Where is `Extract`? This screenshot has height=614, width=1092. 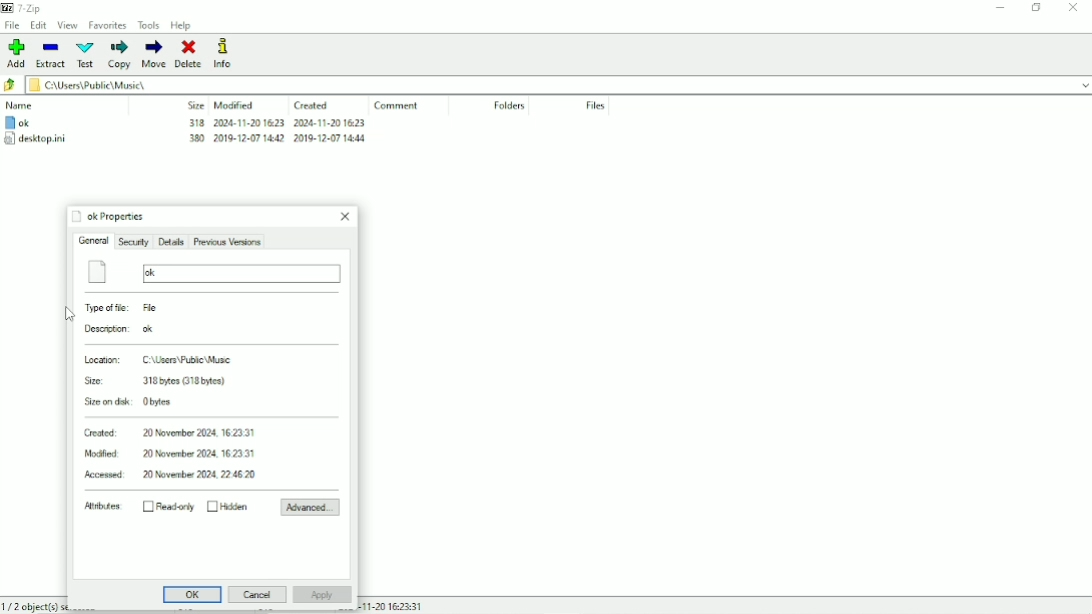
Extract is located at coordinates (50, 55).